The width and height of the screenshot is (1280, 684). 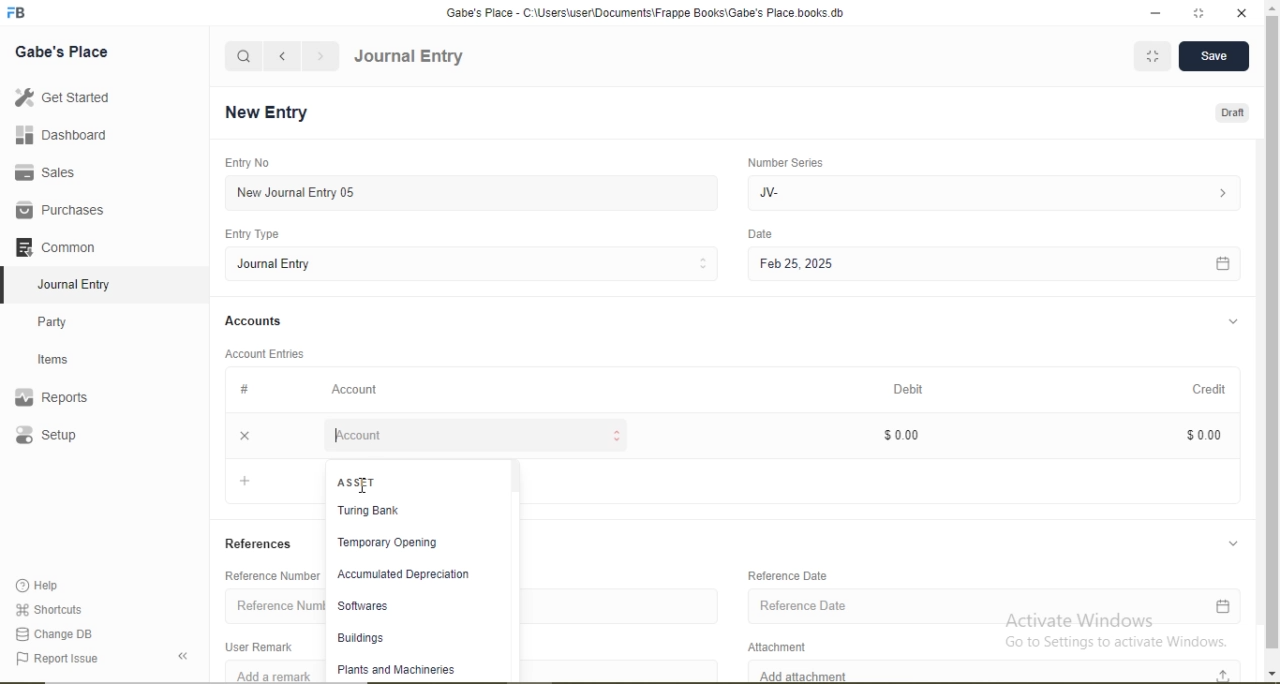 What do you see at coordinates (186, 656) in the screenshot?
I see `collapse sidebar` at bounding box center [186, 656].